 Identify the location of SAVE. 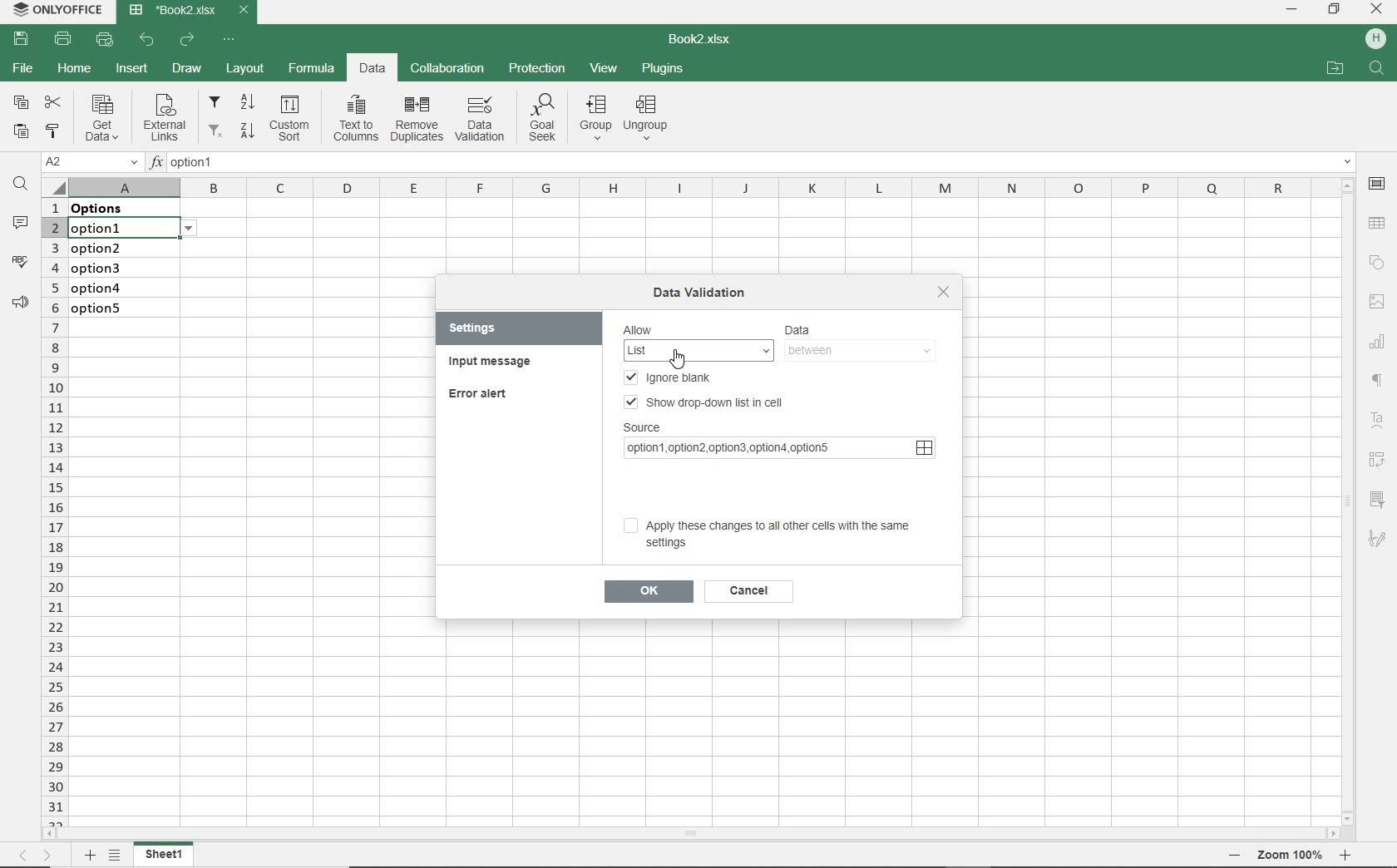
(21, 40).